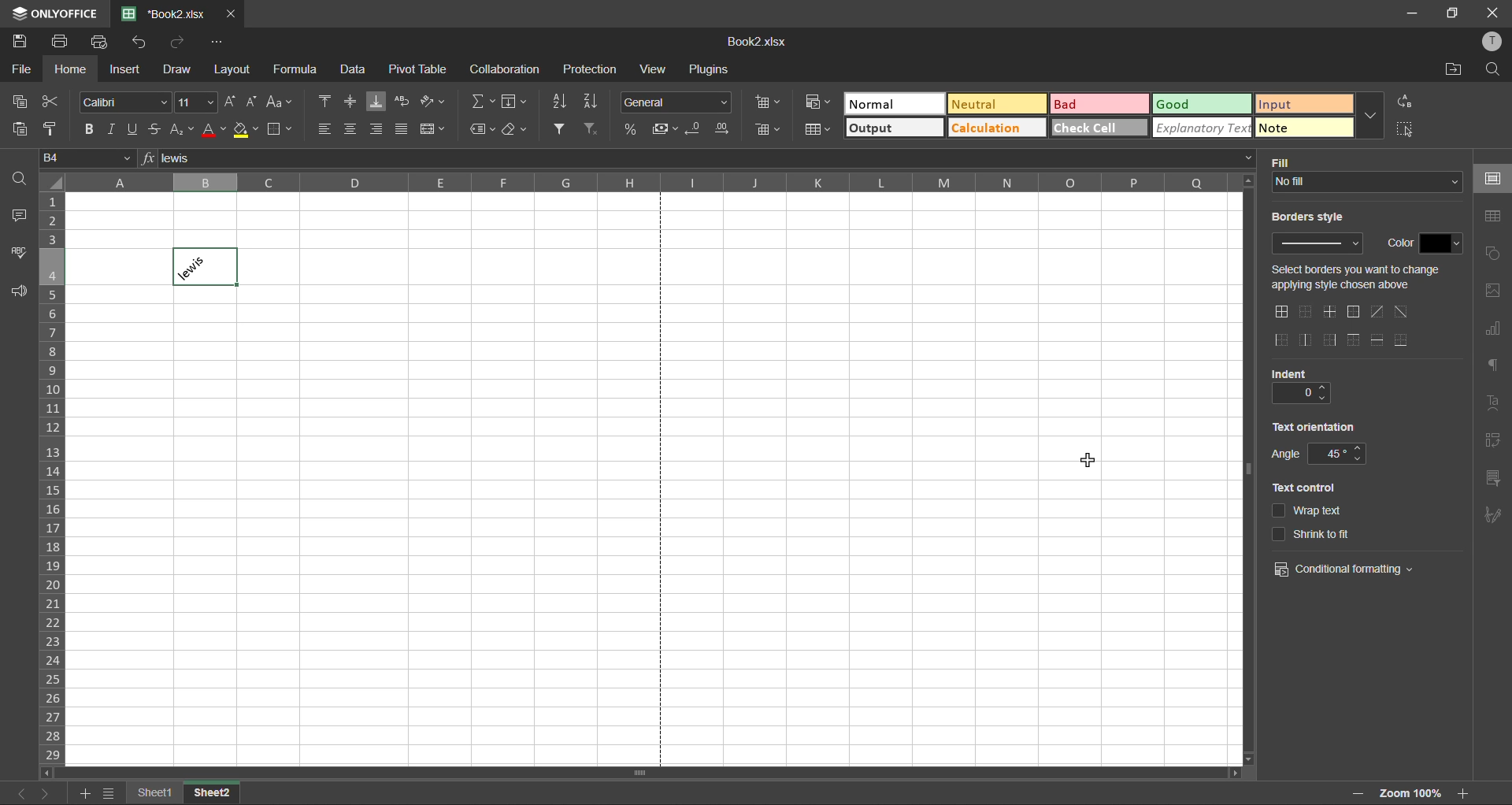 The height and width of the screenshot is (805, 1512). I want to click on increase indent, so click(1327, 385).